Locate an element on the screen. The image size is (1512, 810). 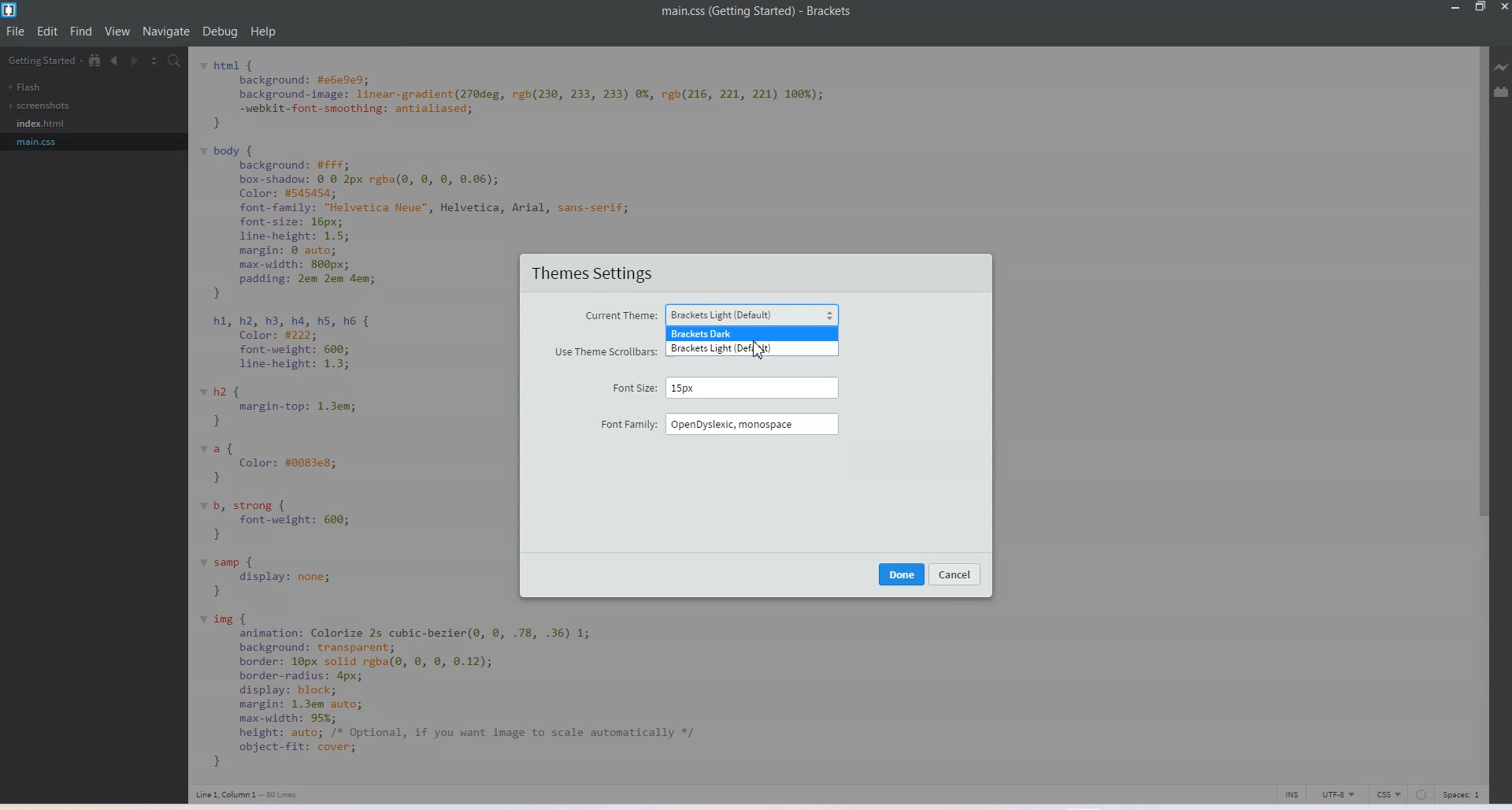
Bracket light default is located at coordinates (750, 349).